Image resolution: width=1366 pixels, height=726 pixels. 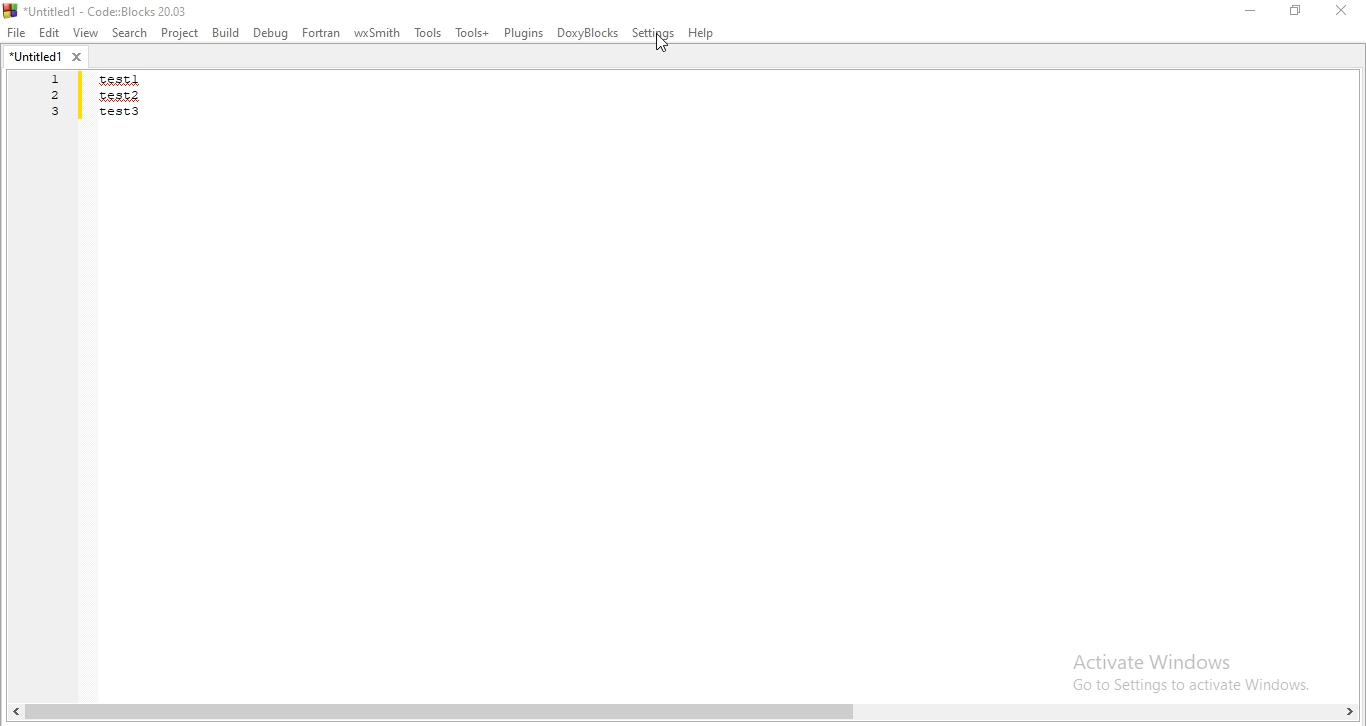 What do you see at coordinates (119, 116) in the screenshot?
I see `test 3` at bounding box center [119, 116].